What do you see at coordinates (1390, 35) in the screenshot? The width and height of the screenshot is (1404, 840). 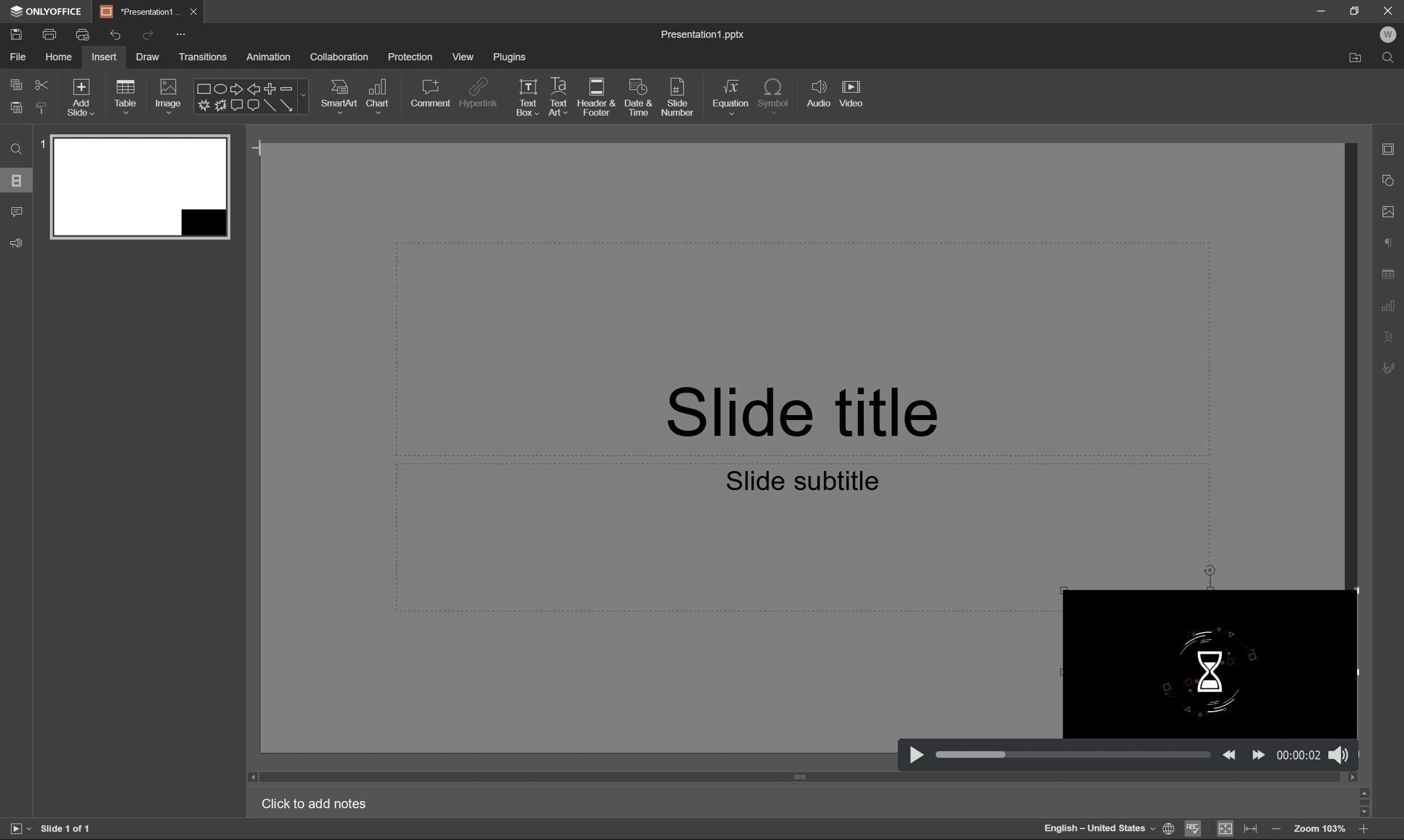 I see `W` at bounding box center [1390, 35].